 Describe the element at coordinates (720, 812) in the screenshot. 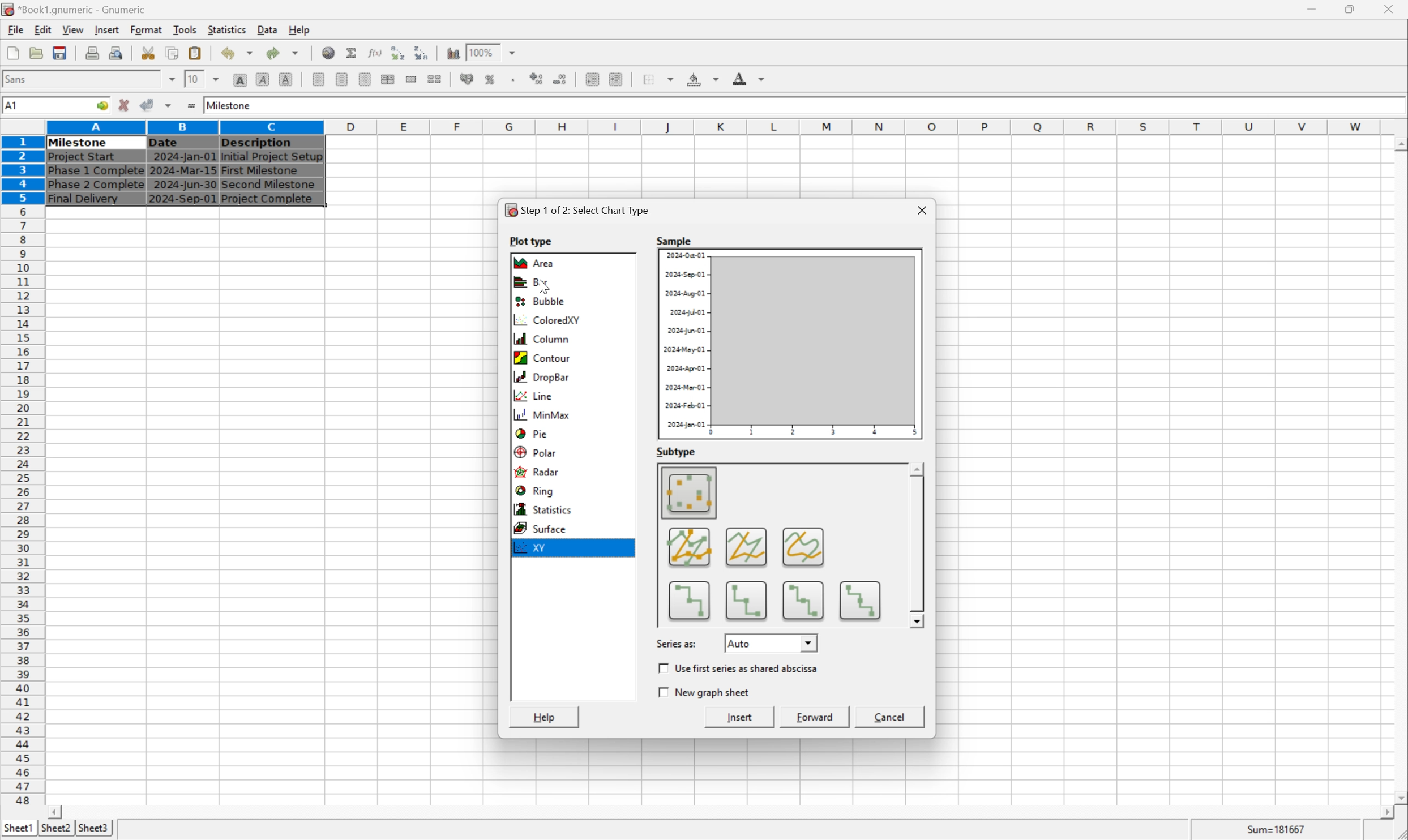

I see `scroll bar` at that location.